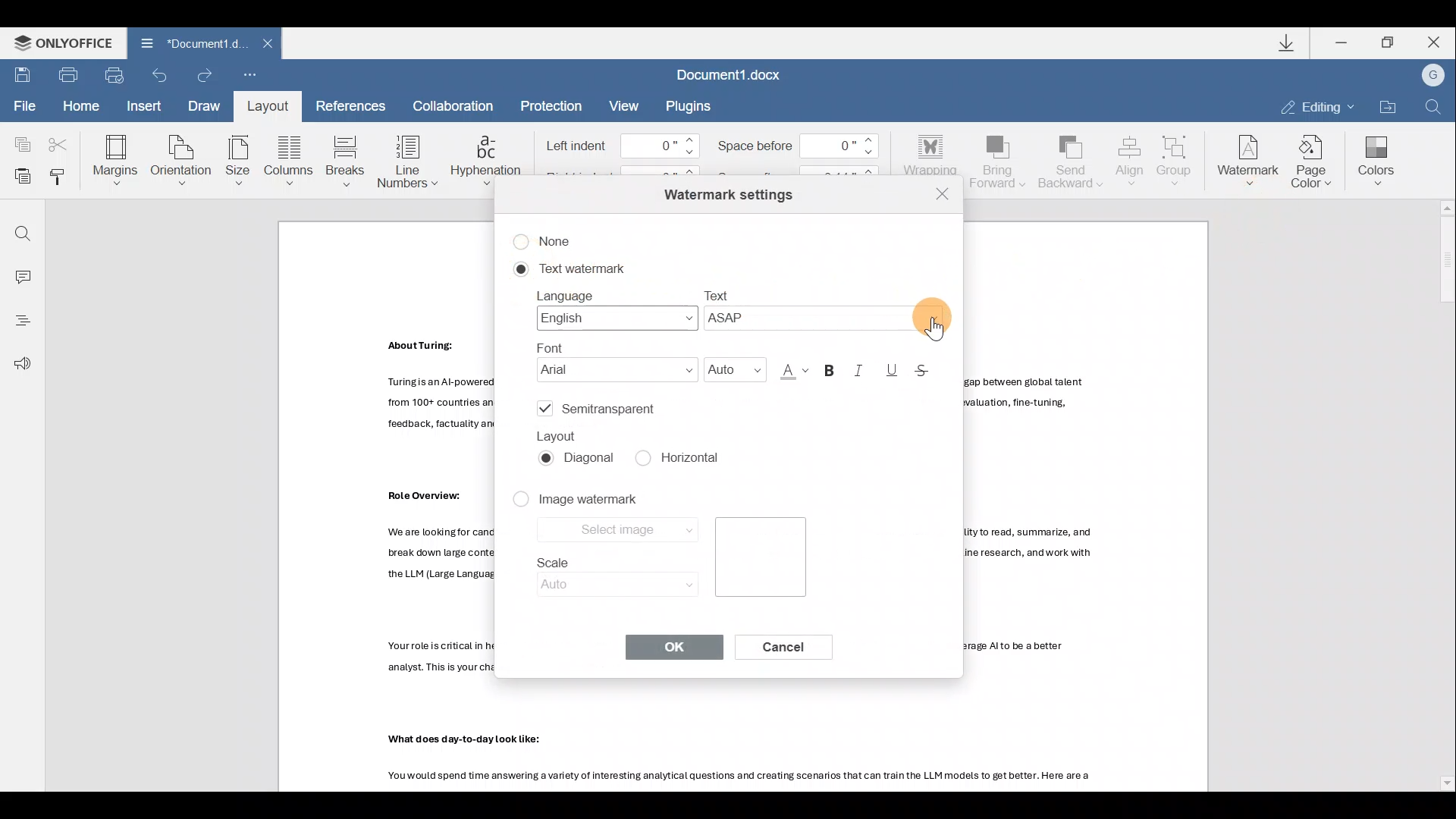 The width and height of the screenshot is (1456, 819). What do you see at coordinates (833, 367) in the screenshot?
I see `Bold` at bounding box center [833, 367].